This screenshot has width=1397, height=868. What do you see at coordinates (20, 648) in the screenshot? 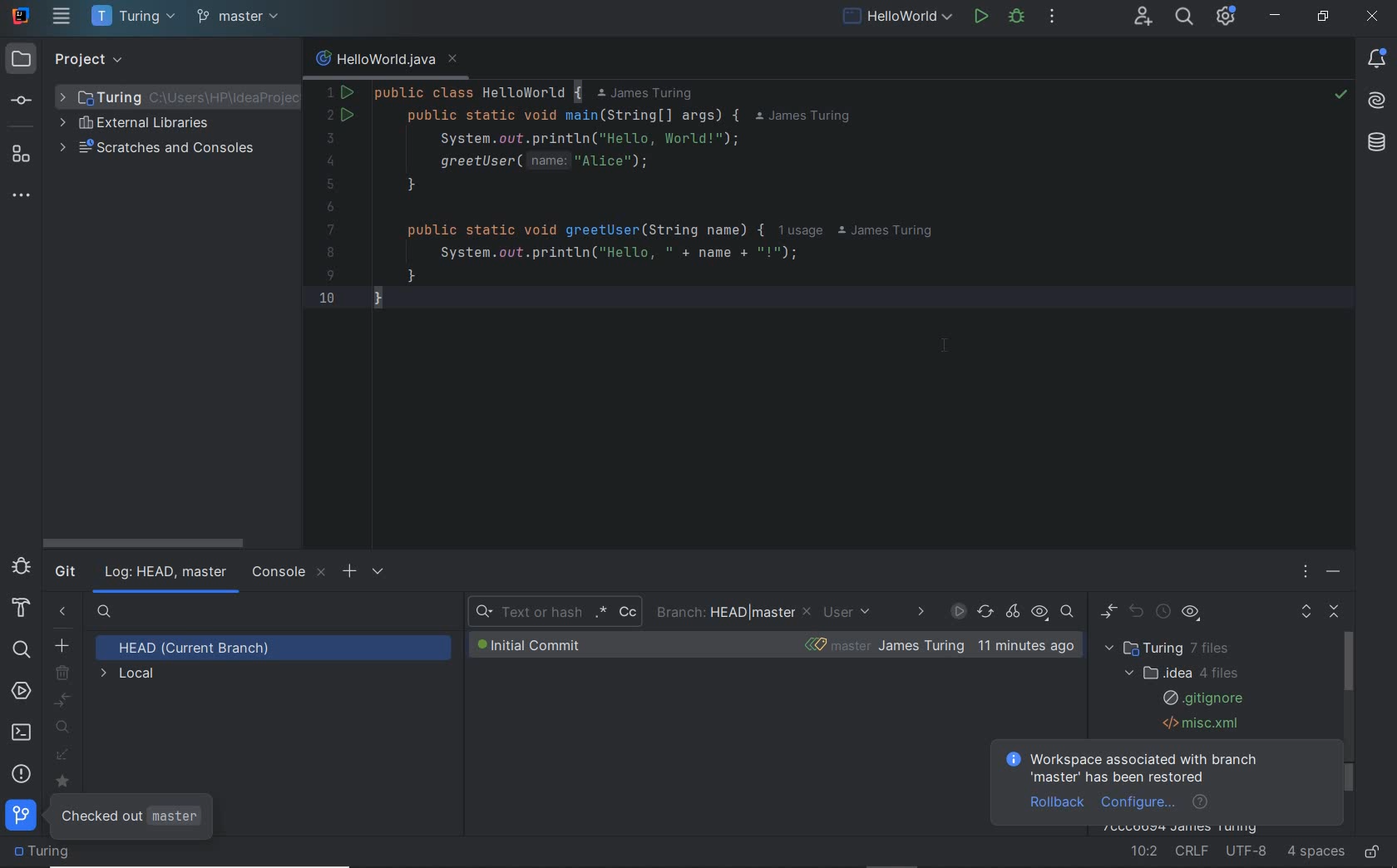
I see `search` at bounding box center [20, 648].